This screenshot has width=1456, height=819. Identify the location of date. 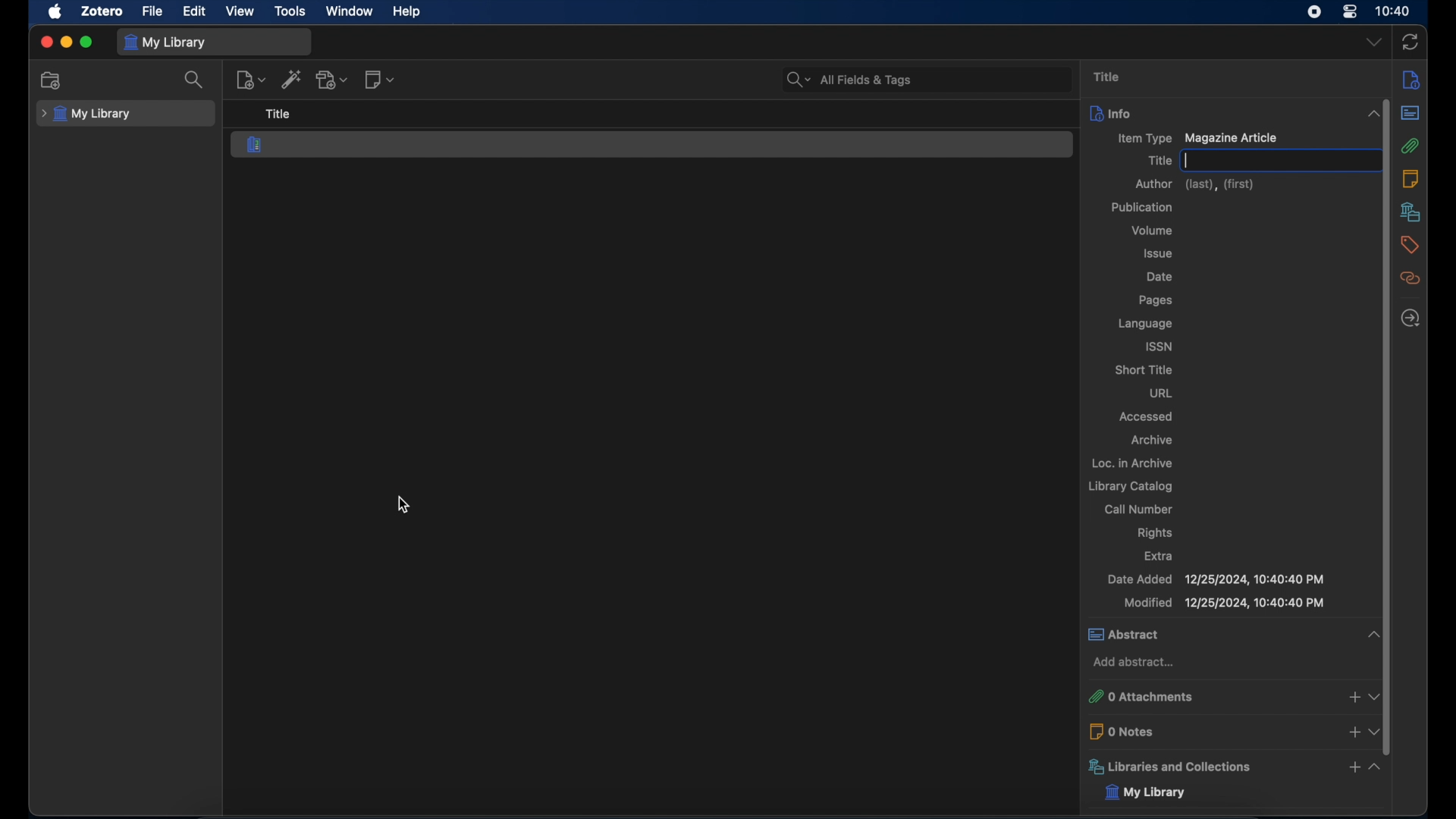
(1162, 277).